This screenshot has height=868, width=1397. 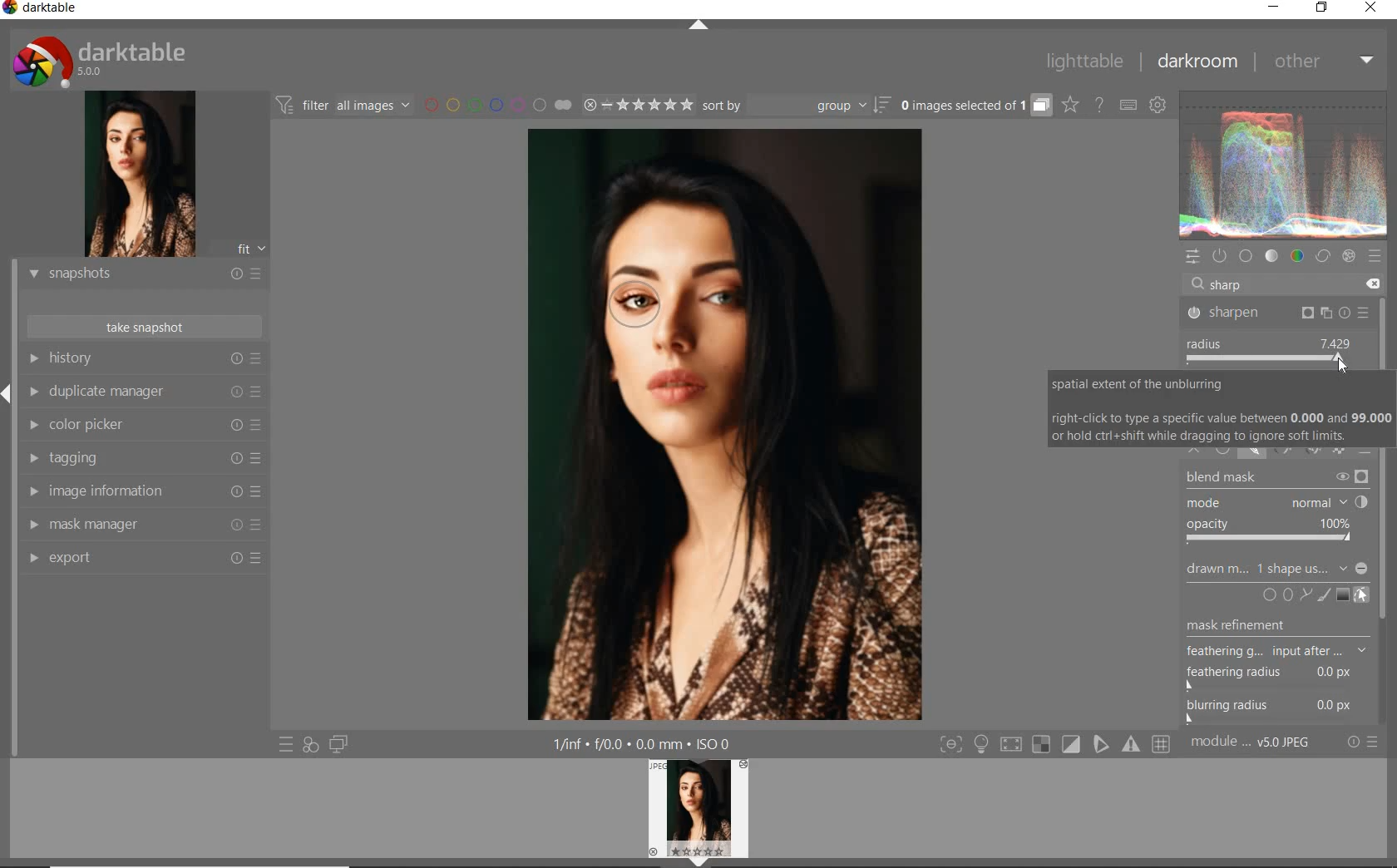 What do you see at coordinates (1251, 741) in the screenshot?
I see `module..v50JPEG` at bounding box center [1251, 741].